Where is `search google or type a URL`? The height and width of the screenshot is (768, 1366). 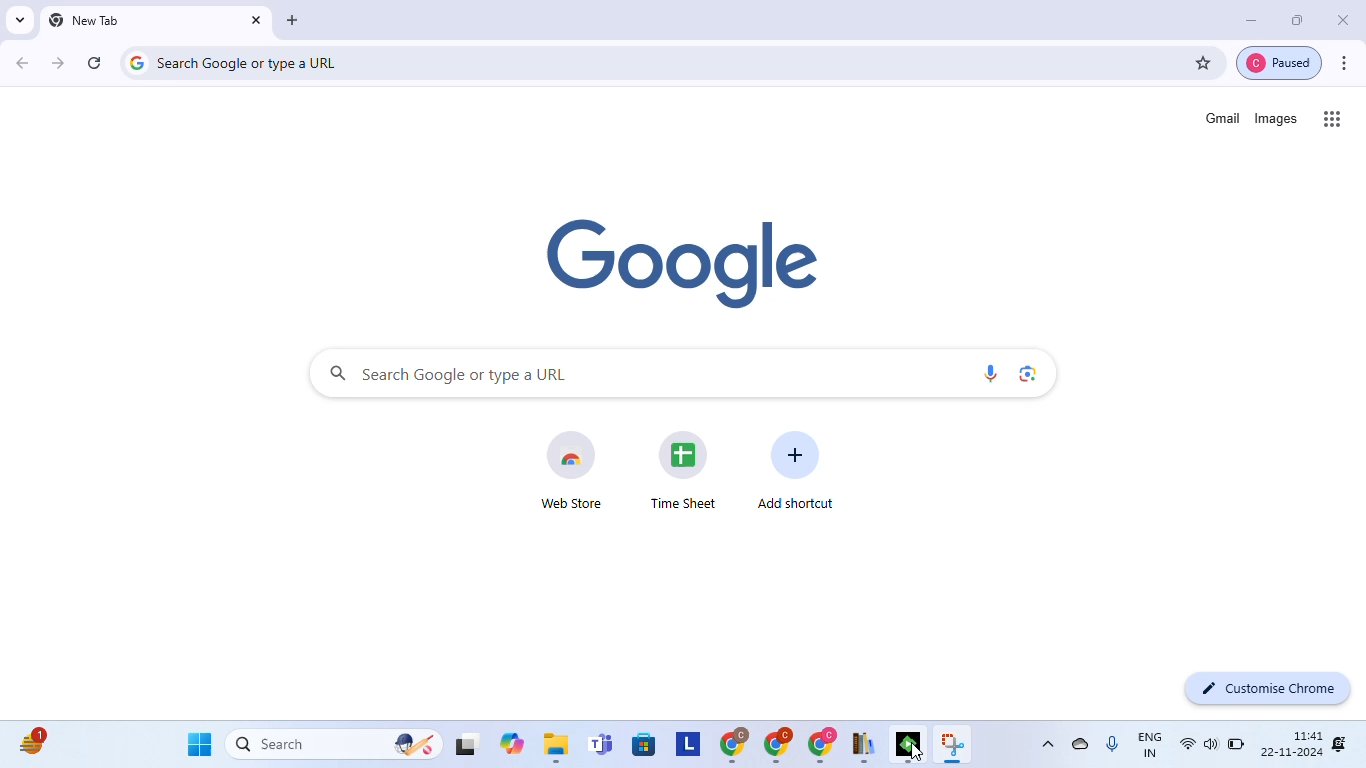
search google or type a URL is located at coordinates (636, 372).